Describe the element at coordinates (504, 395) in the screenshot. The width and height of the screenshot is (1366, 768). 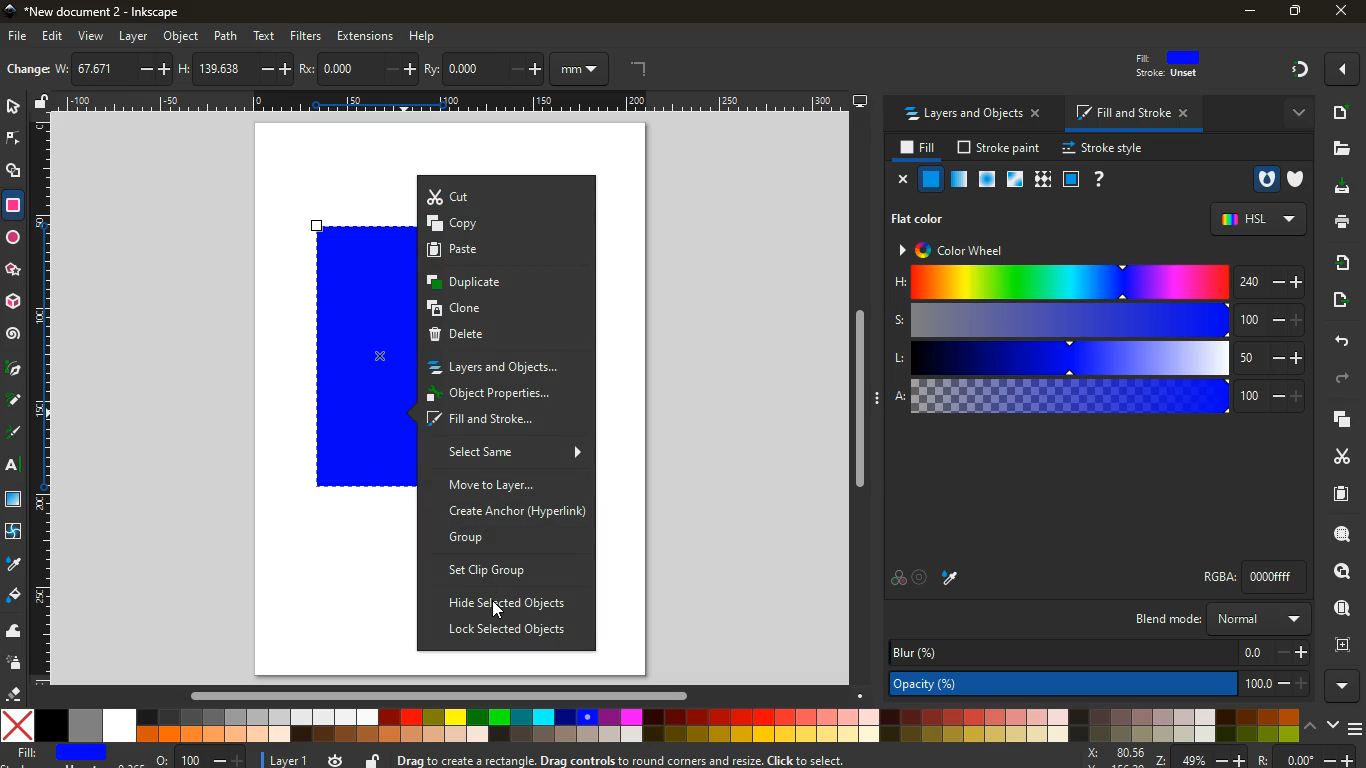
I see `object properties` at that location.